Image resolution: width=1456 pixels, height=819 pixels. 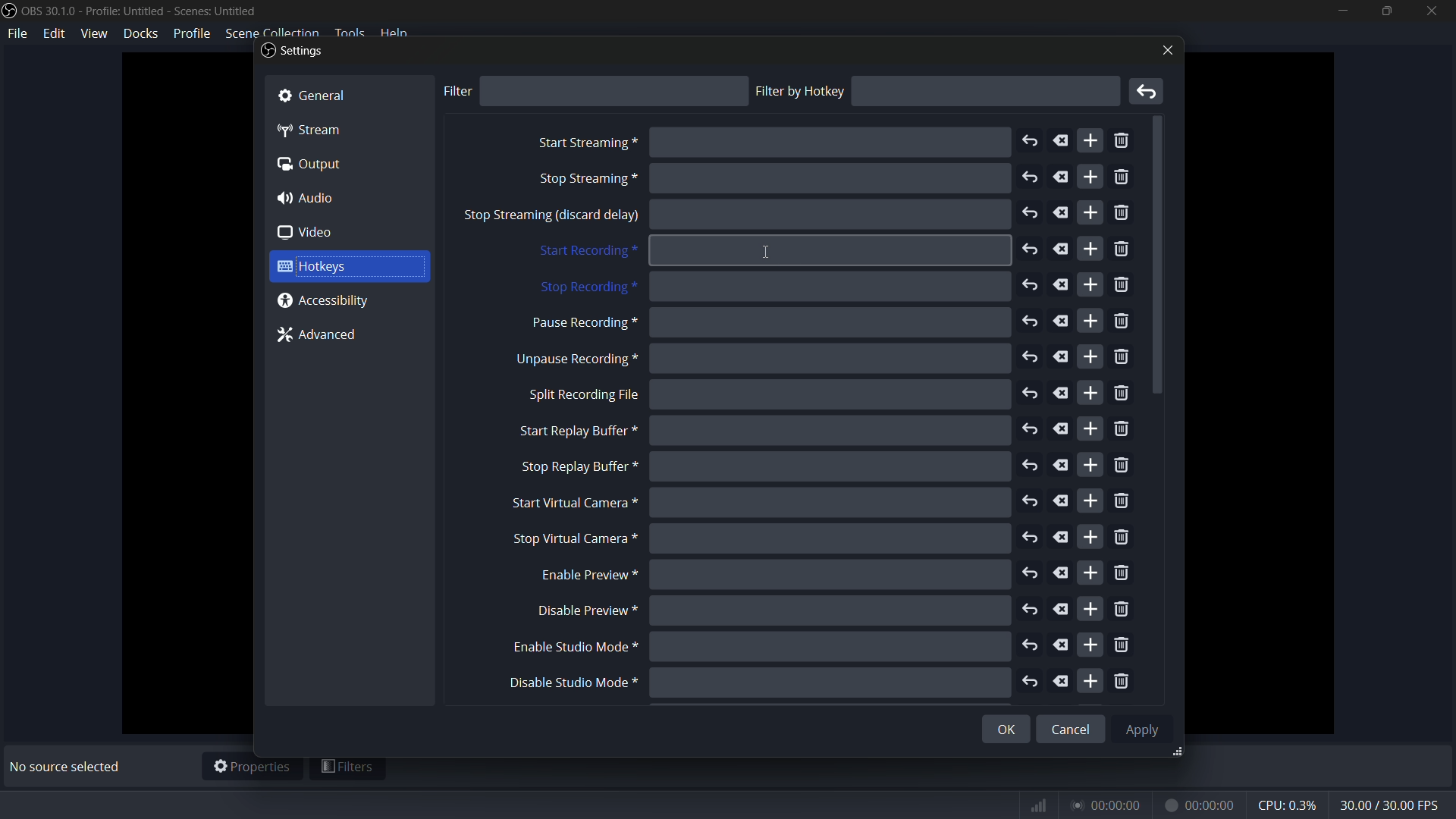 What do you see at coordinates (586, 288) in the screenshot?
I see `stop recording` at bounding box center [586, 288].